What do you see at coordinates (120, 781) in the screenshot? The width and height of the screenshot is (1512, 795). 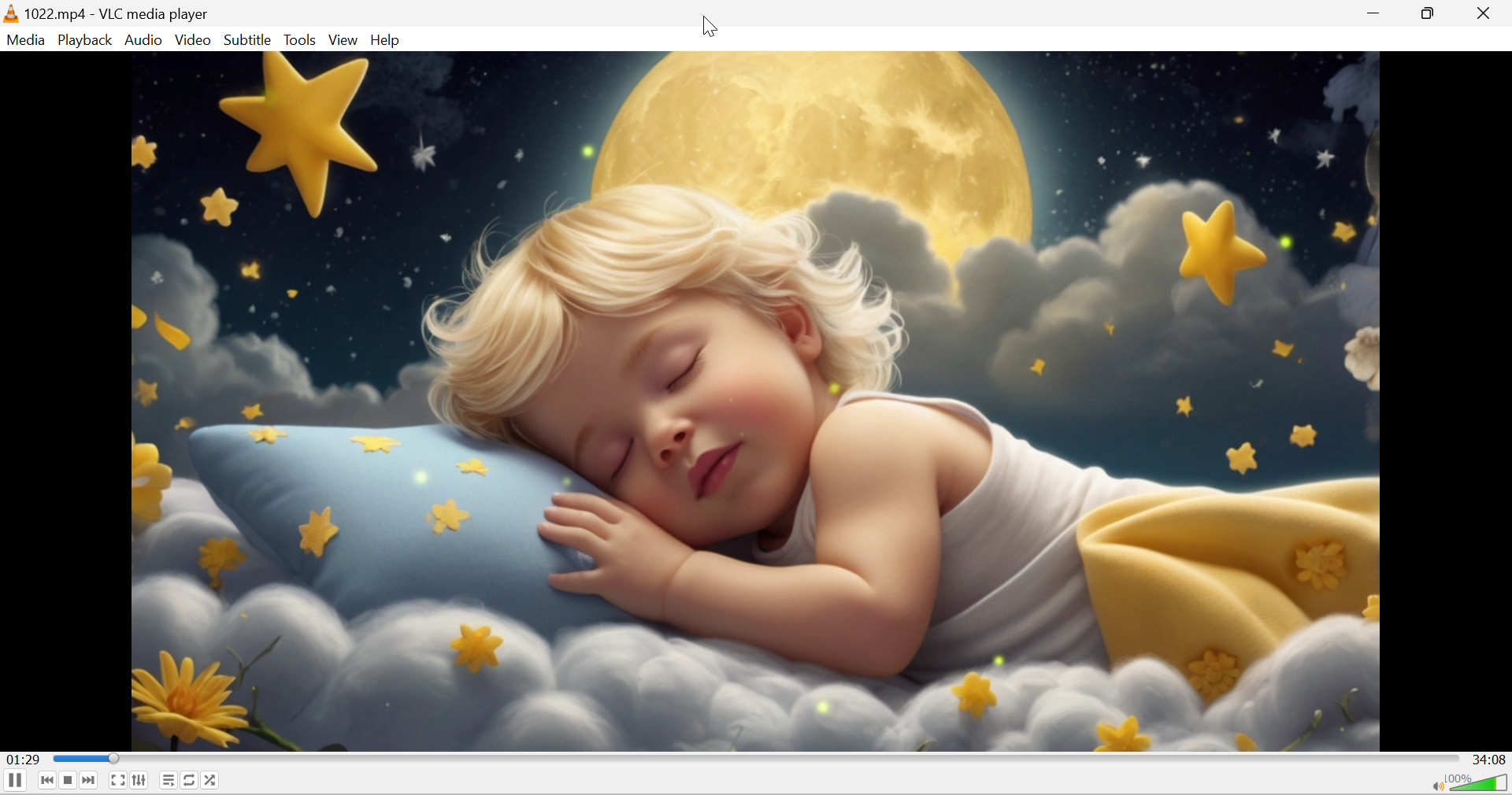 I see `Toggle the video in fullscreen` at bounding box center [120, 781].